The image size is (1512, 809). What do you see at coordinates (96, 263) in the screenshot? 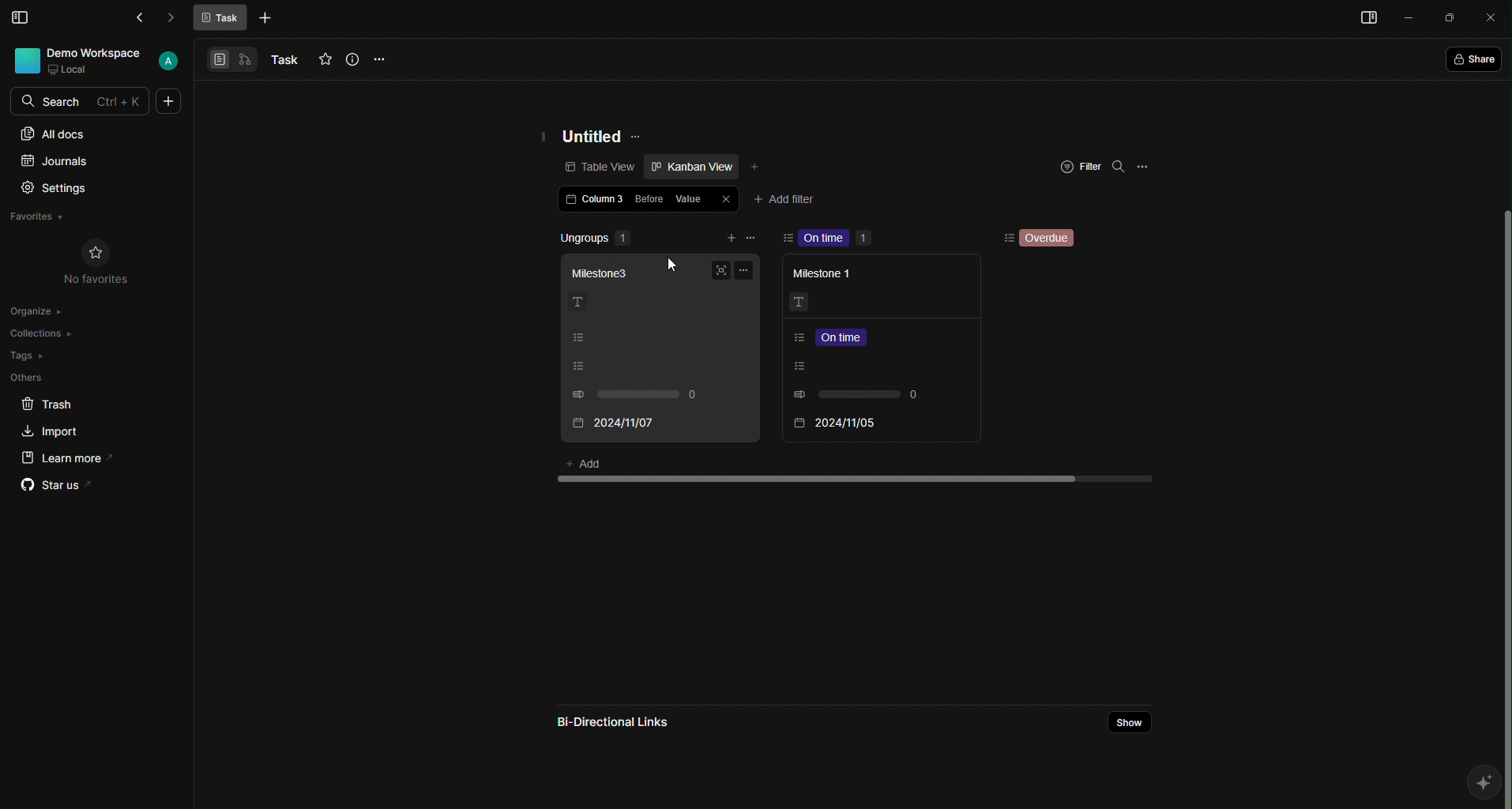
I see `No Favorites` at bounding box center [96, 263].